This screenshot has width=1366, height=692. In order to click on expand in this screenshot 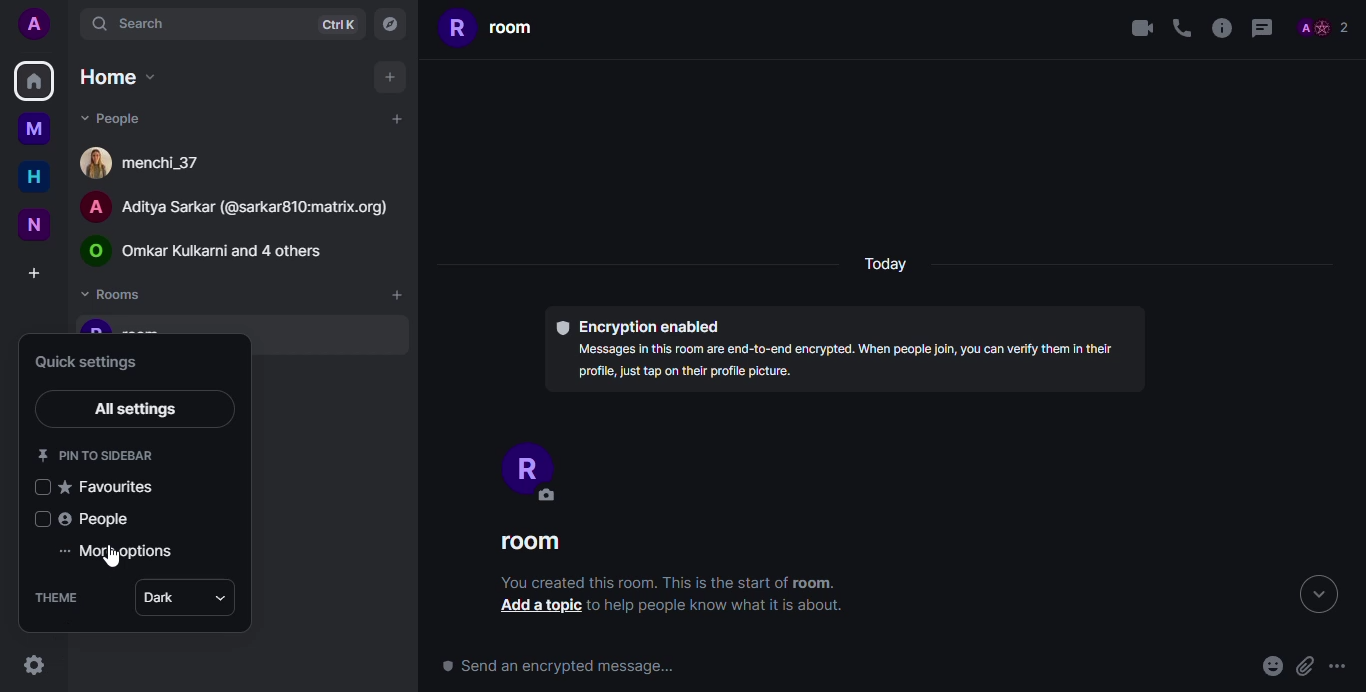, I will do `click(1318, 597)`.